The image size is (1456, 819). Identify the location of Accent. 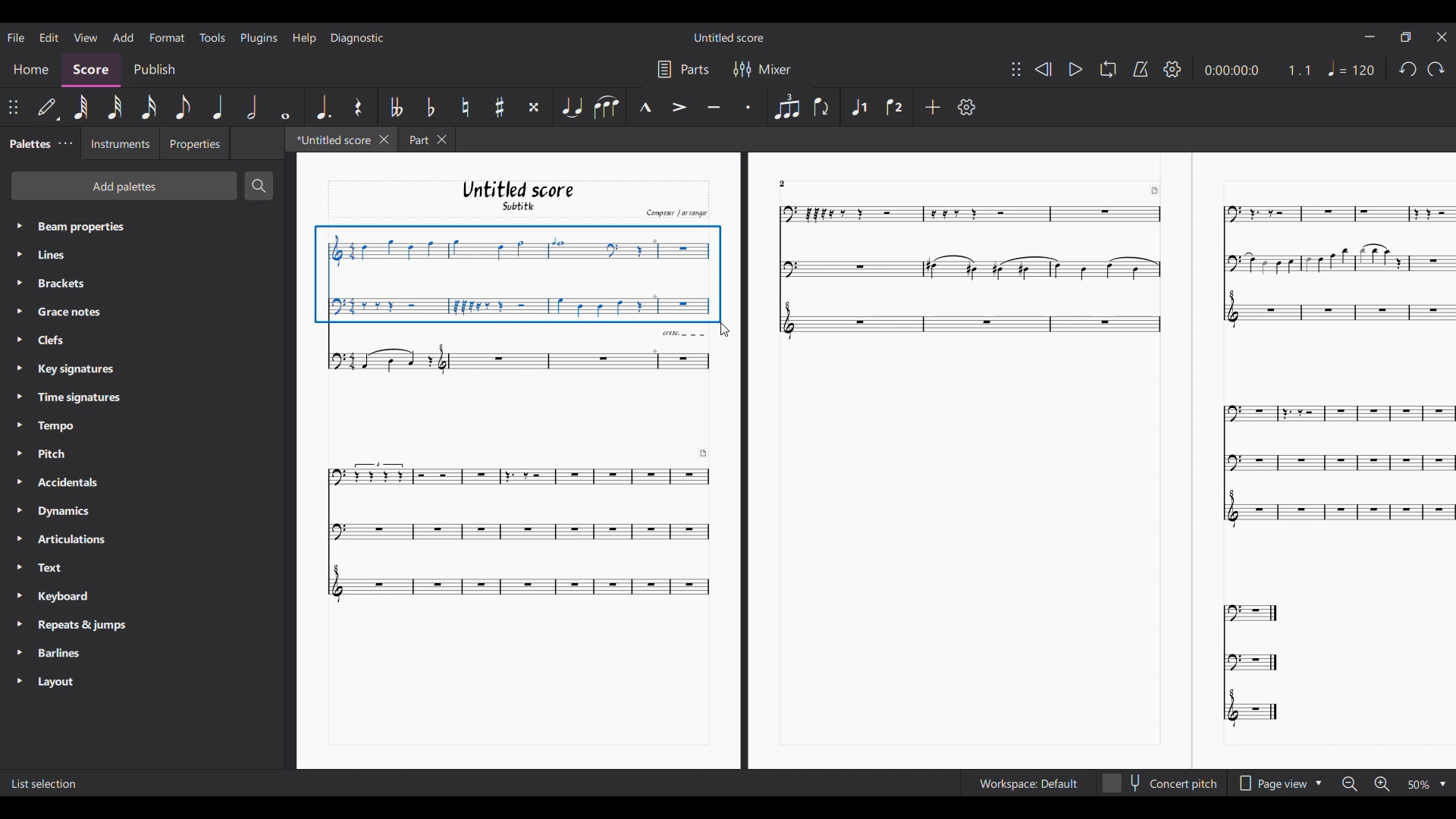
(679, 107).